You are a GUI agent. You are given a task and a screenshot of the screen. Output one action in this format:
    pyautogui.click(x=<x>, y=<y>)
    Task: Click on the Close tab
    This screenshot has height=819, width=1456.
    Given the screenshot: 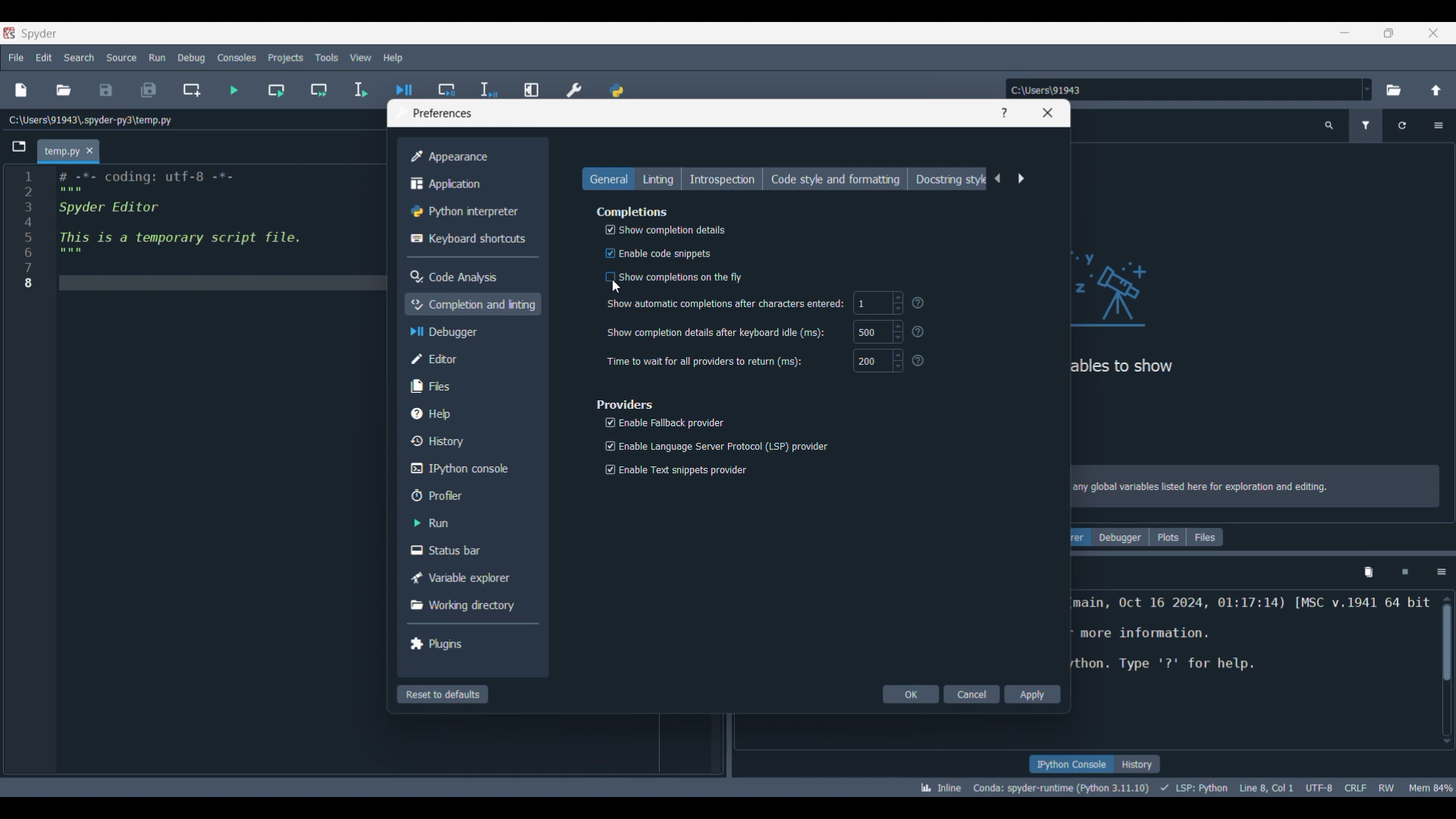 What is the action you would take?
    pyautogui.click(x=89, y=150)
    